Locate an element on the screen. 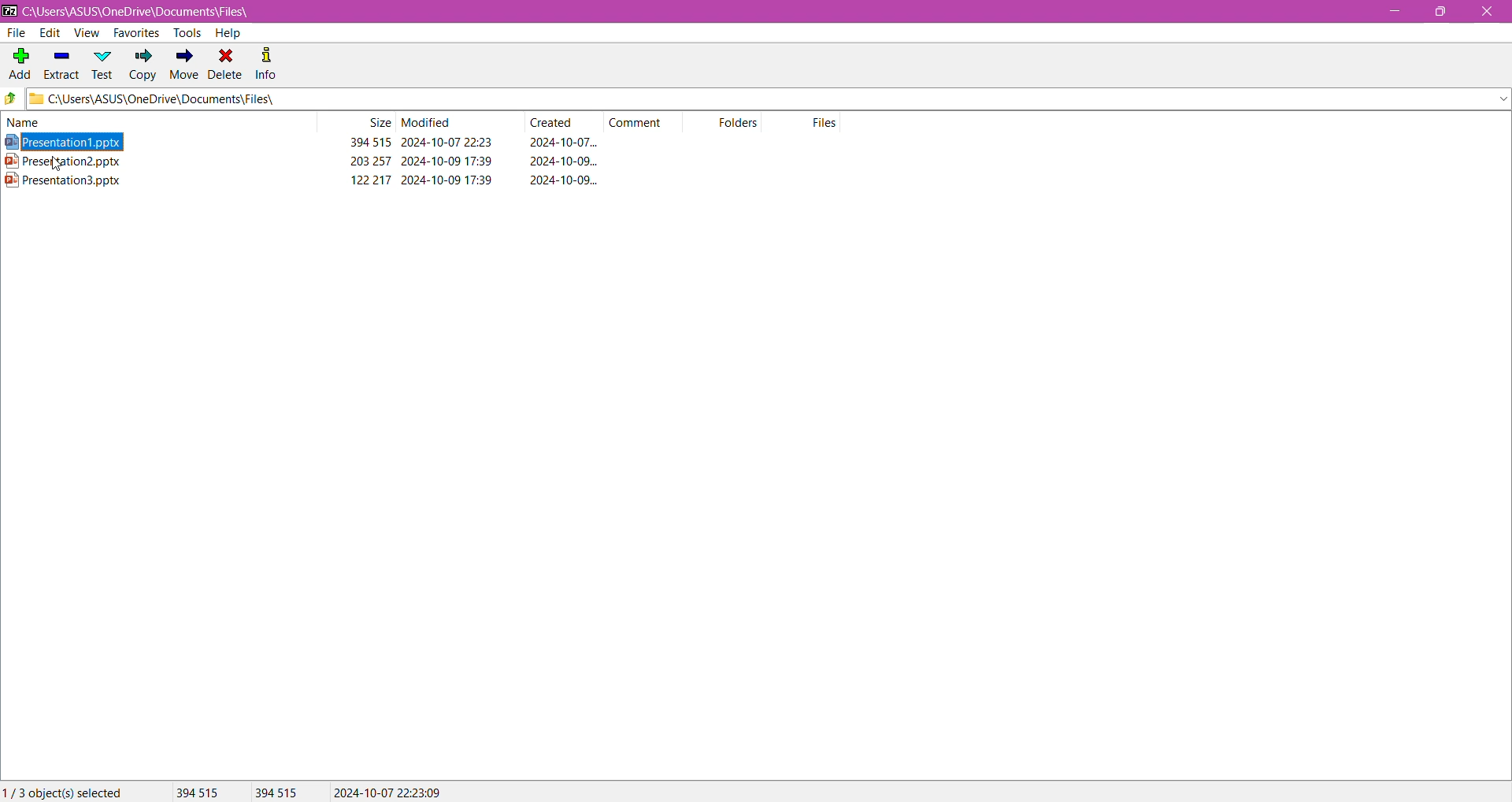 The height and width of the screenshot is (802, 1512). Add is located at coordinates (19, 59).